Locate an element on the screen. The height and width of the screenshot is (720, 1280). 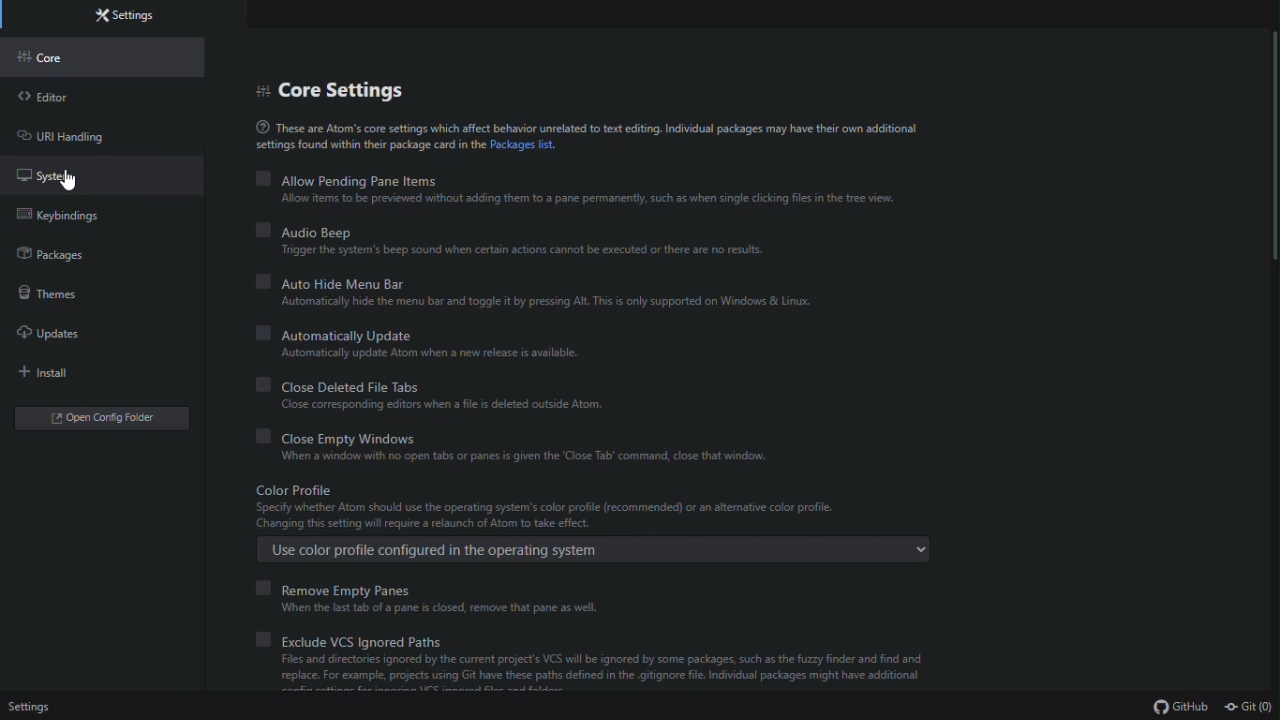
Settings is located at coordinates (135, 15).